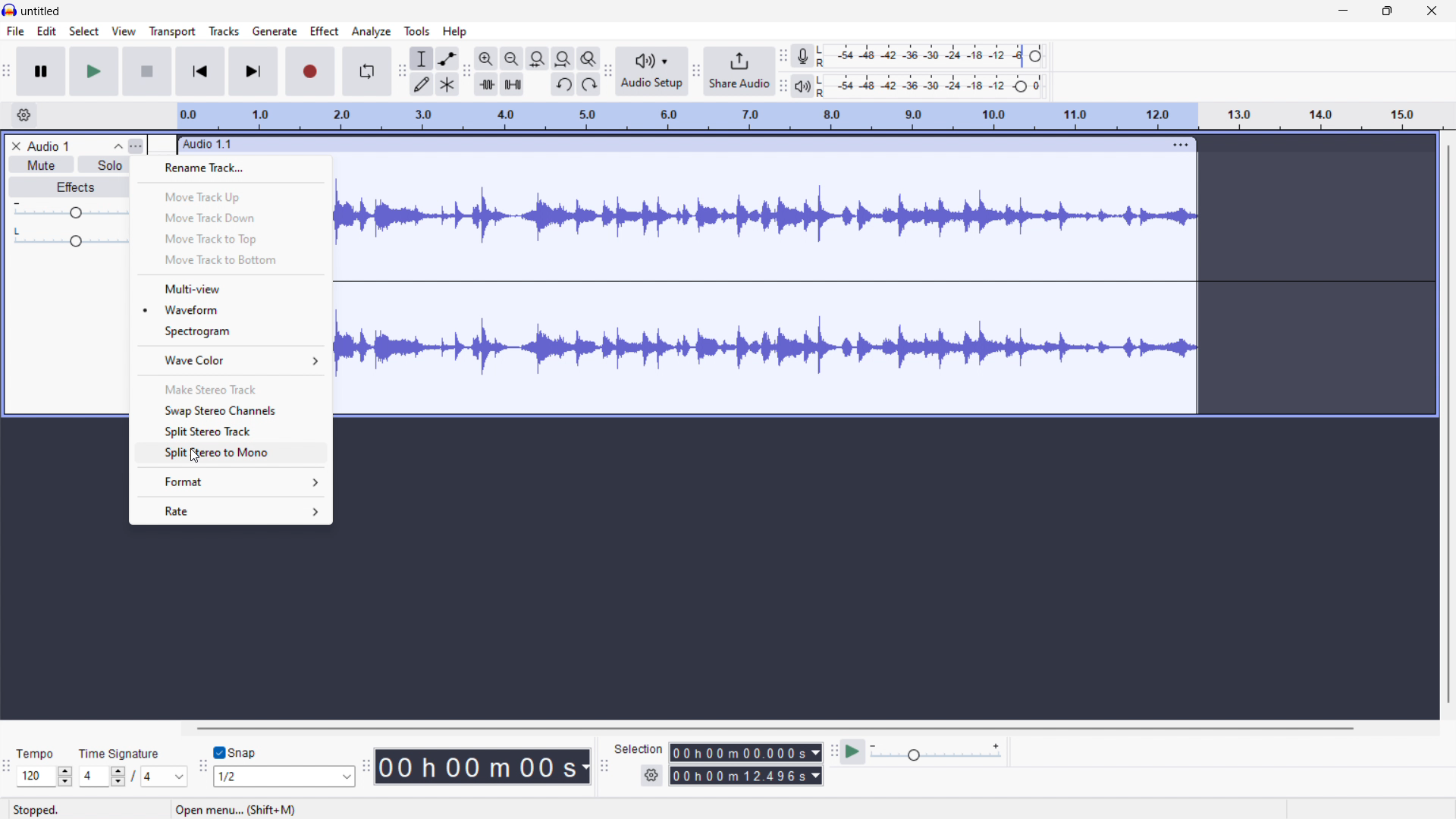  Describe the element at coordinates (747, 752) in the screenshot. I see `start time` at that location.